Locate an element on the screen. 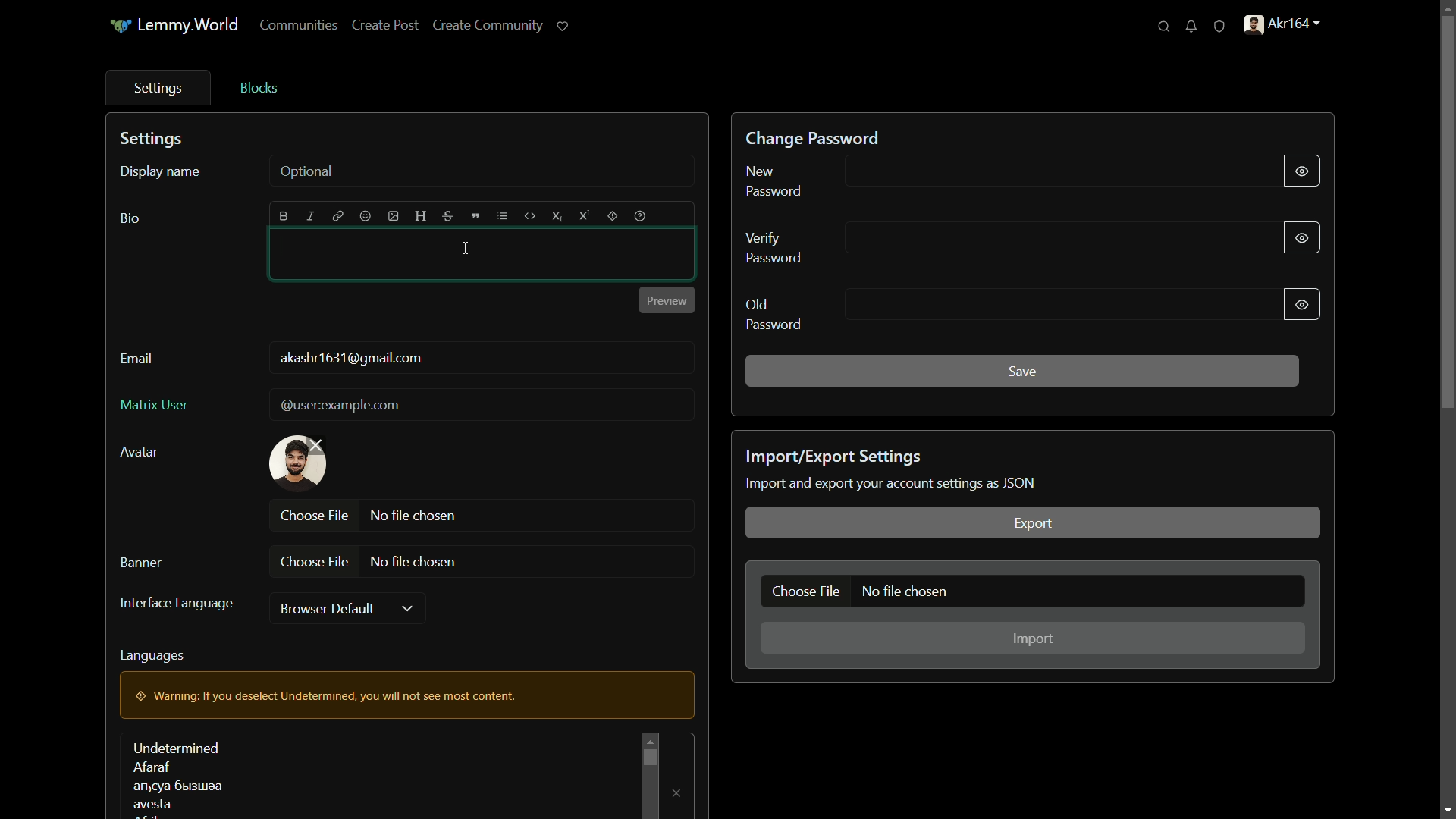  import is located at coordinates (1031, 638).